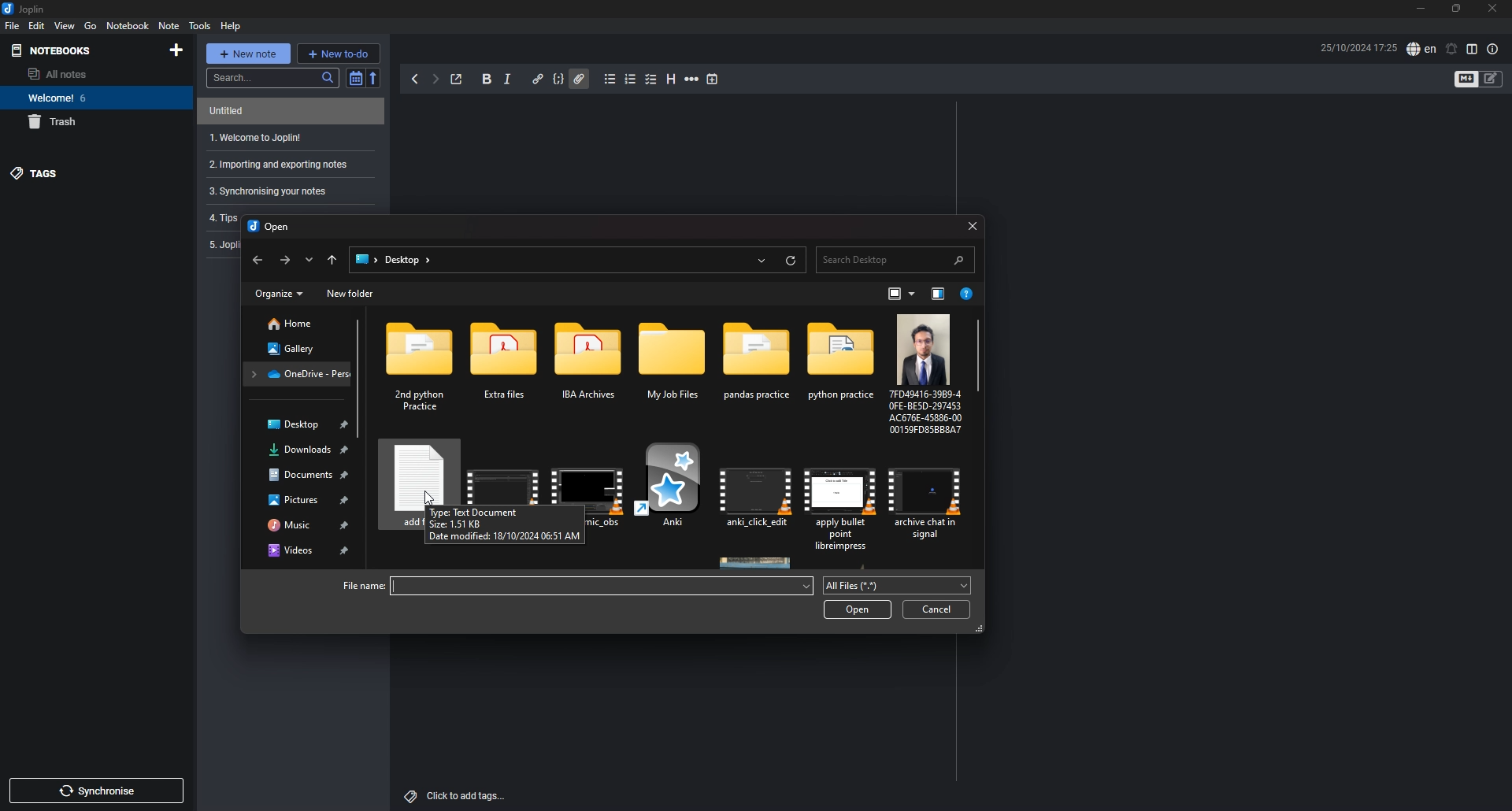 The width and height of the screenshot is (1512, 811). What do you see at coordinates (223, 245) in the screenshot?
I see `5. joplin Privacy Policy` at bounding box center [223, 245].